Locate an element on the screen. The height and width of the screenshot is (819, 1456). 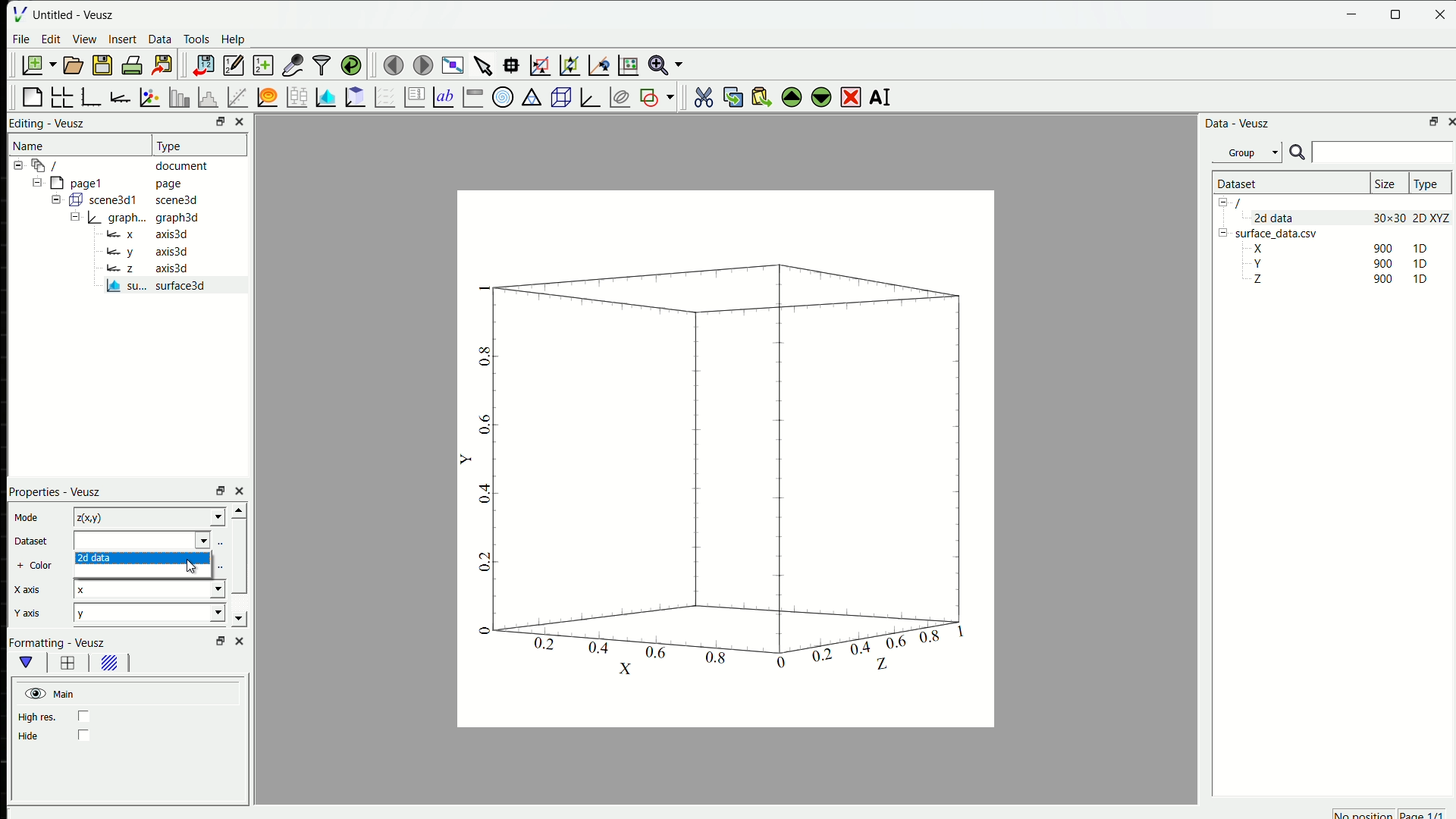
plot box plots is located at coordinates (298, 96).